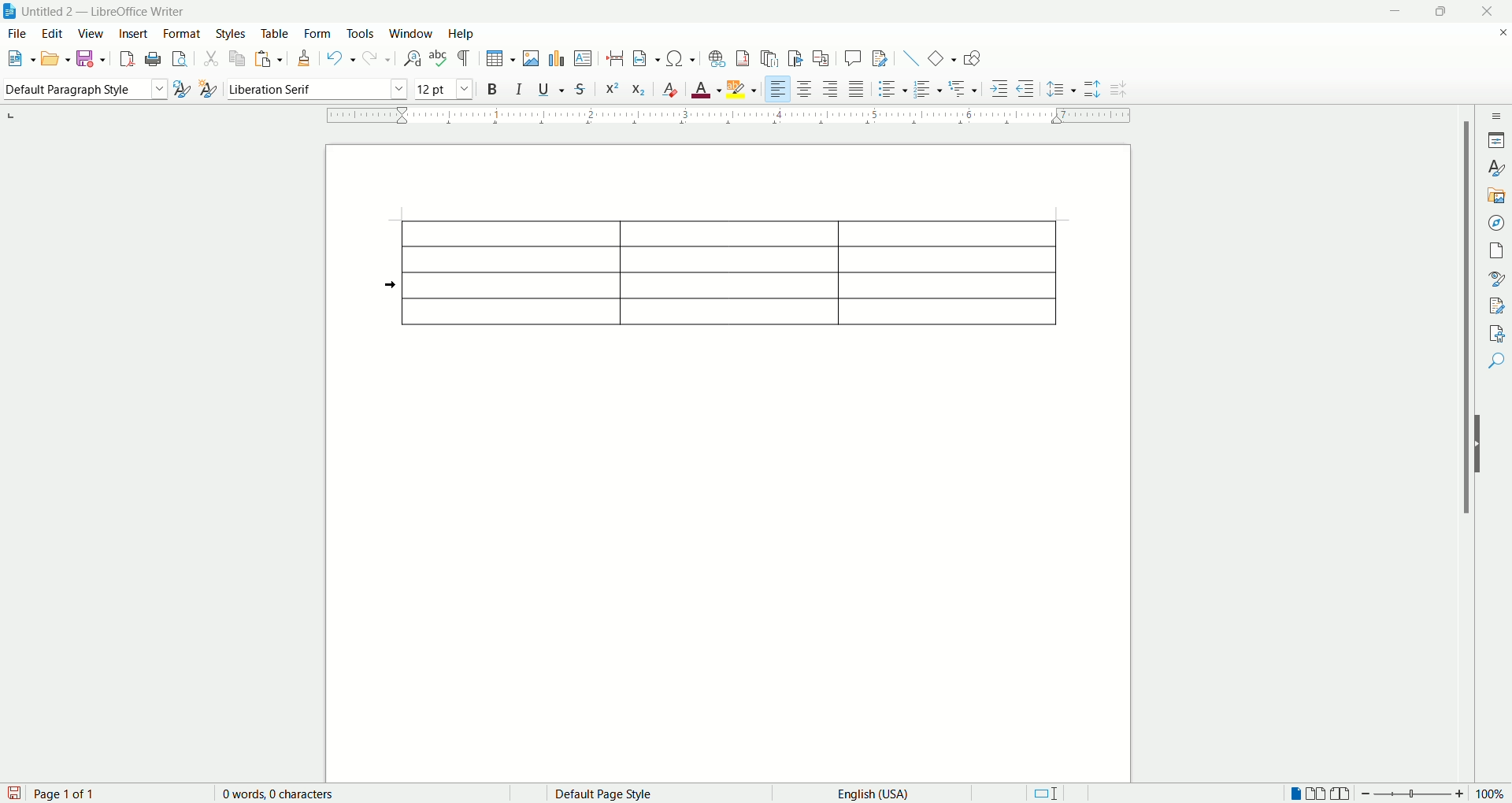 The width and height of the screenshot is (1512, 803). I want to click on unordered list, so click(892, 90).